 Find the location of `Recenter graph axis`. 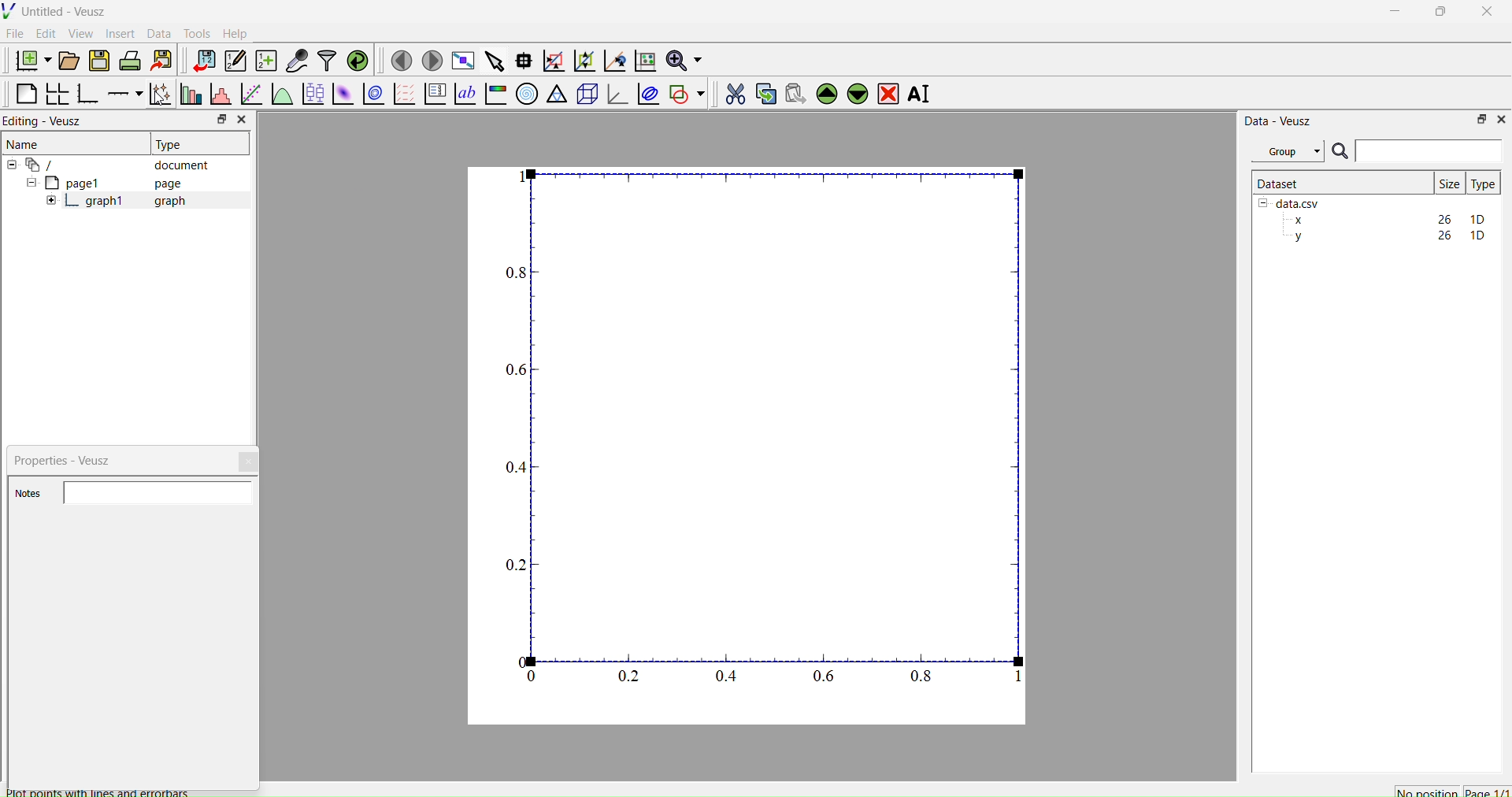

Recenter graph axis is located at coordinates (613, 60).